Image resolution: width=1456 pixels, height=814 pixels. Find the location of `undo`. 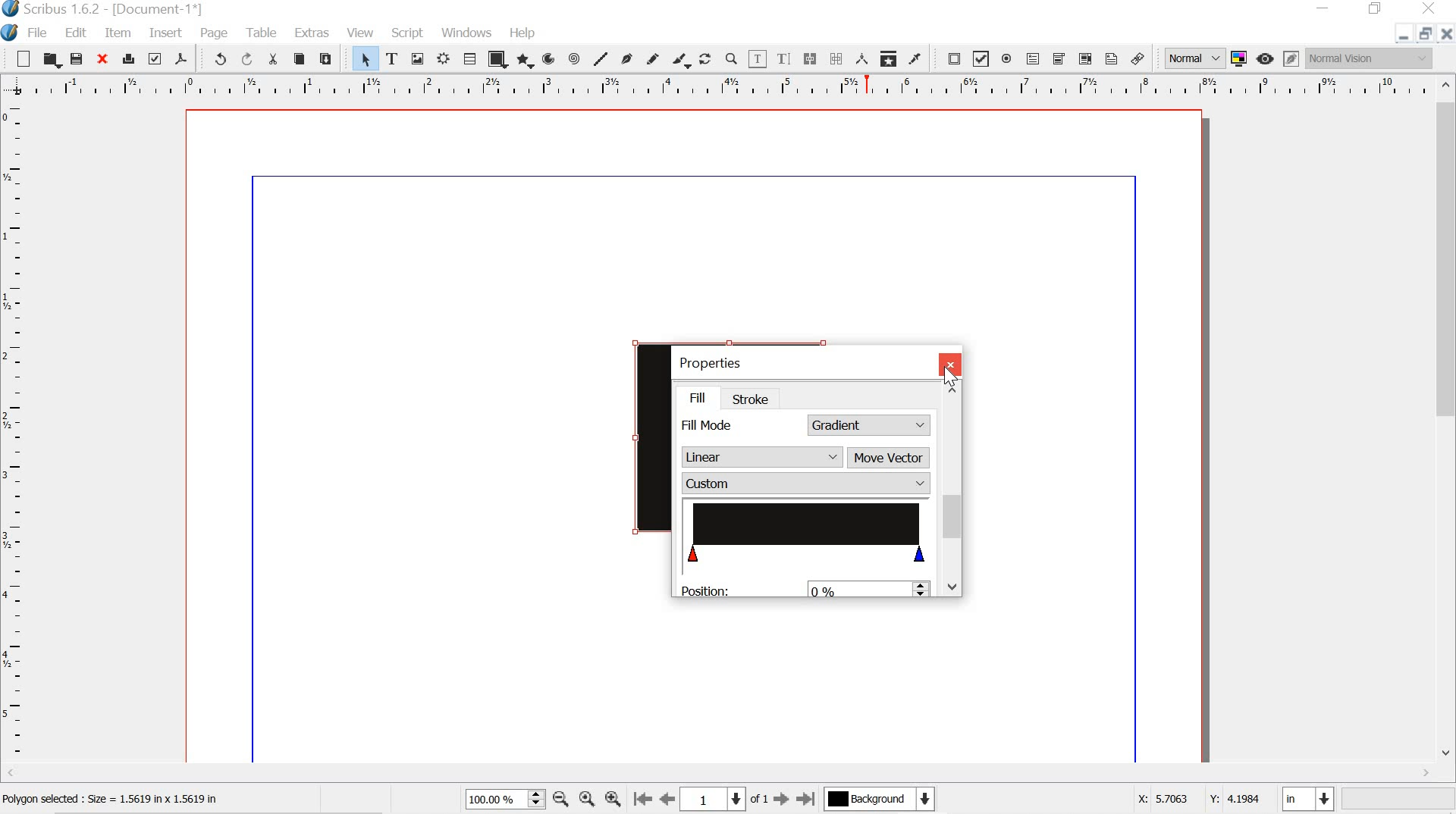

undo is located at coordinates (218, 61).